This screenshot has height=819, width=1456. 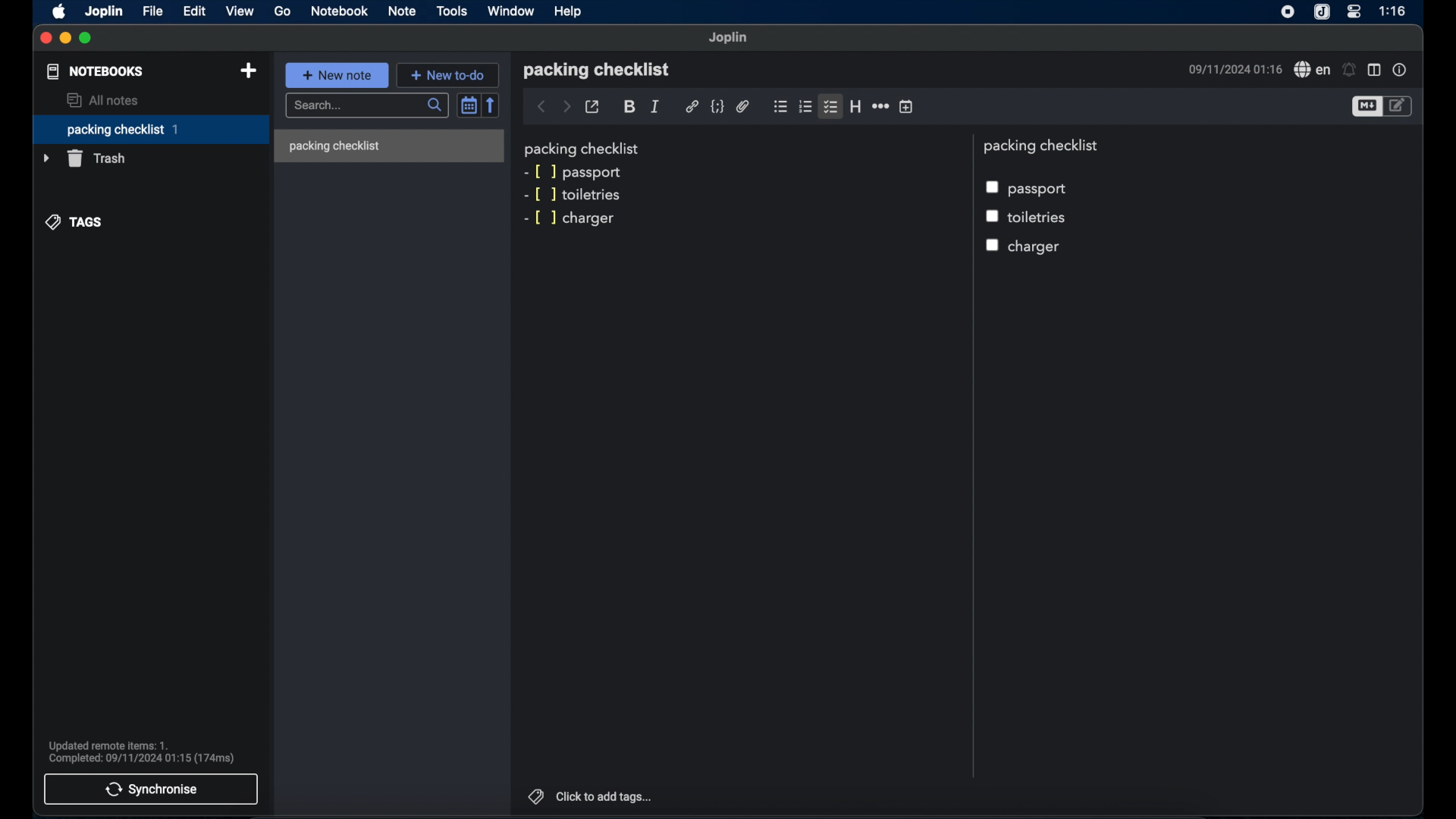 I want to click on toggle editor layout, so click(x=1375, y=69).